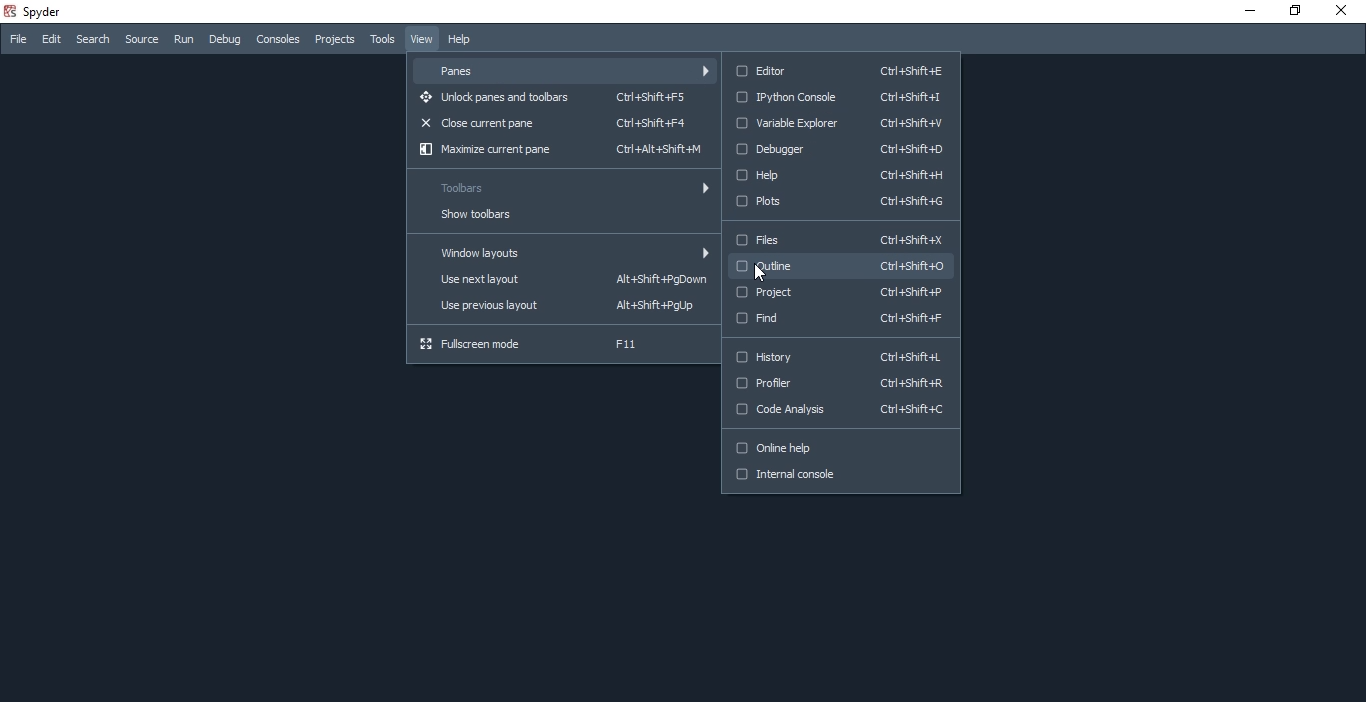  Describe the element at coordinates (840, 449) in the screenshot. I see `Online help` at that location.